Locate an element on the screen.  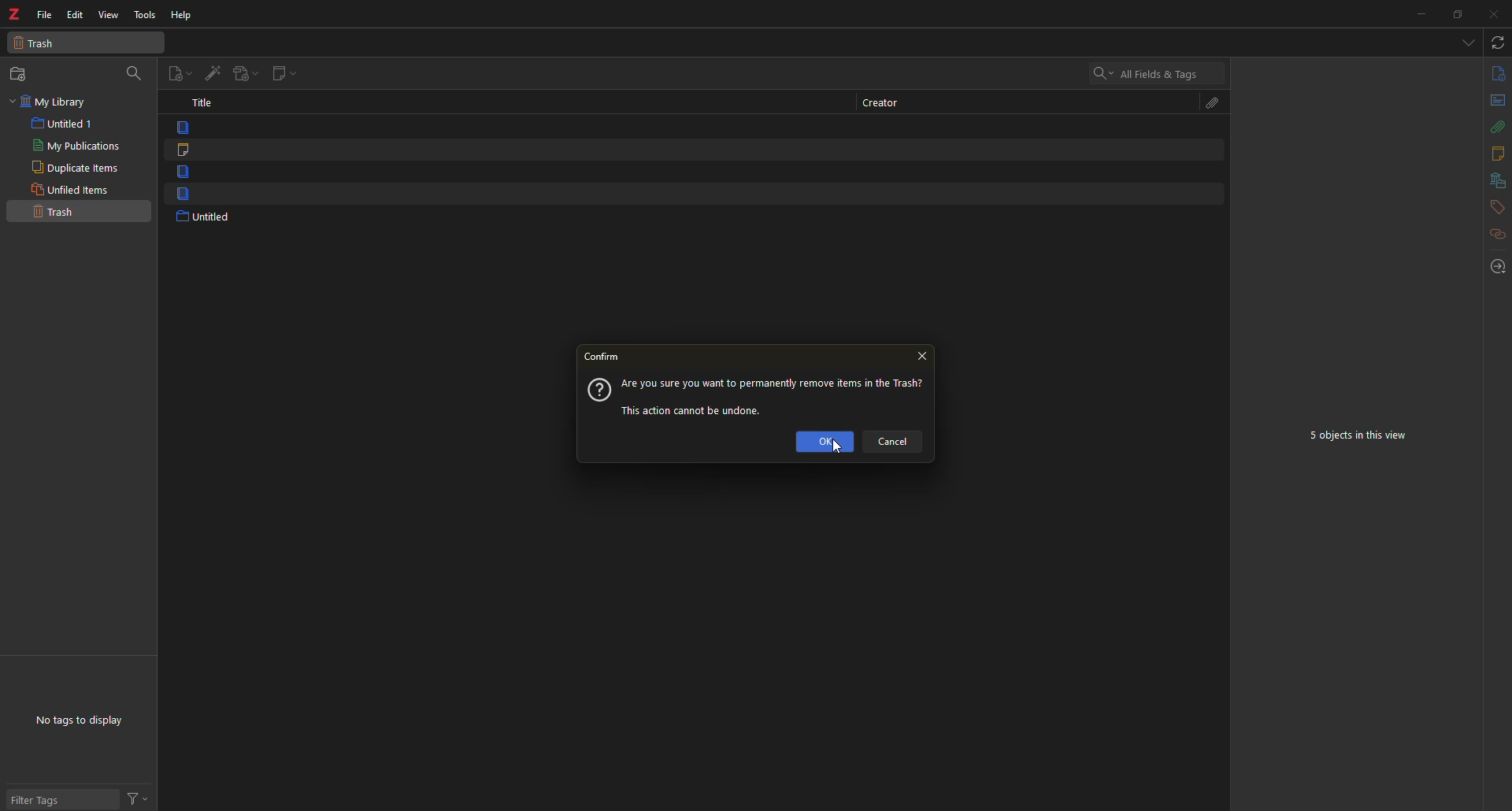
New collection is located at coordinates (21, 74).